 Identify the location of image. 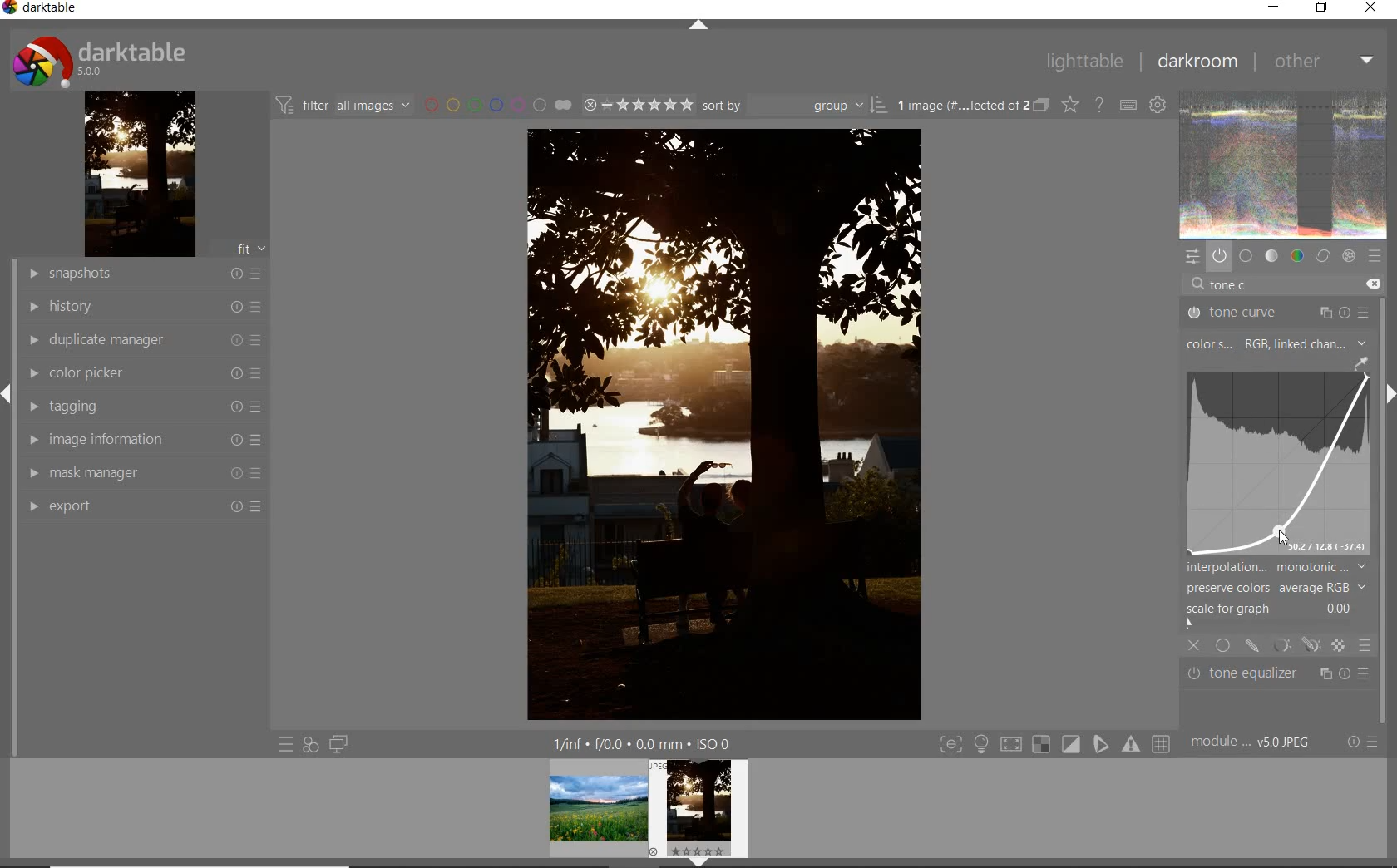
(1279, 466).